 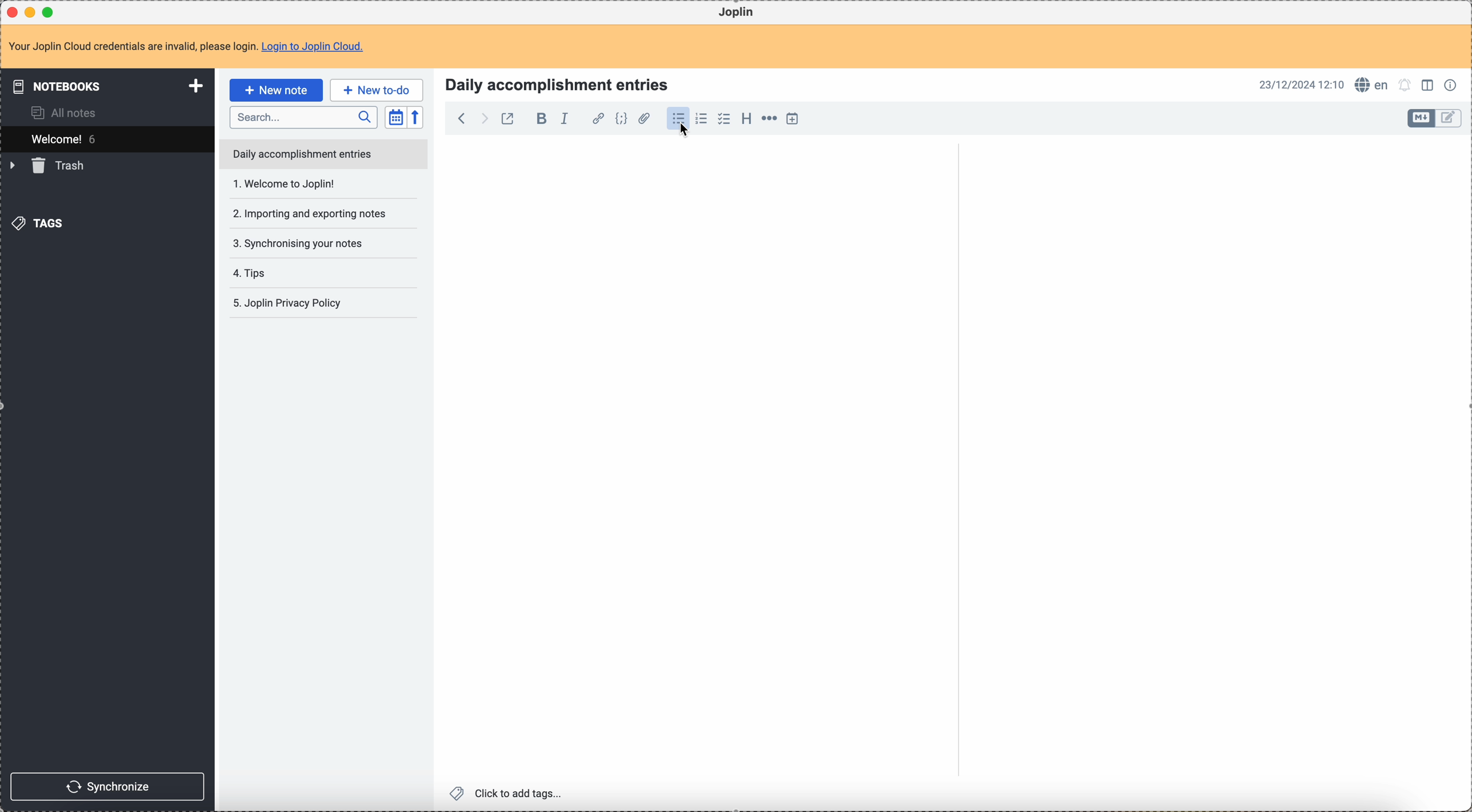 What do you see at coordinates (792, 119) in the screenshot?
I see `insert time` at bounding box center [792, 119].